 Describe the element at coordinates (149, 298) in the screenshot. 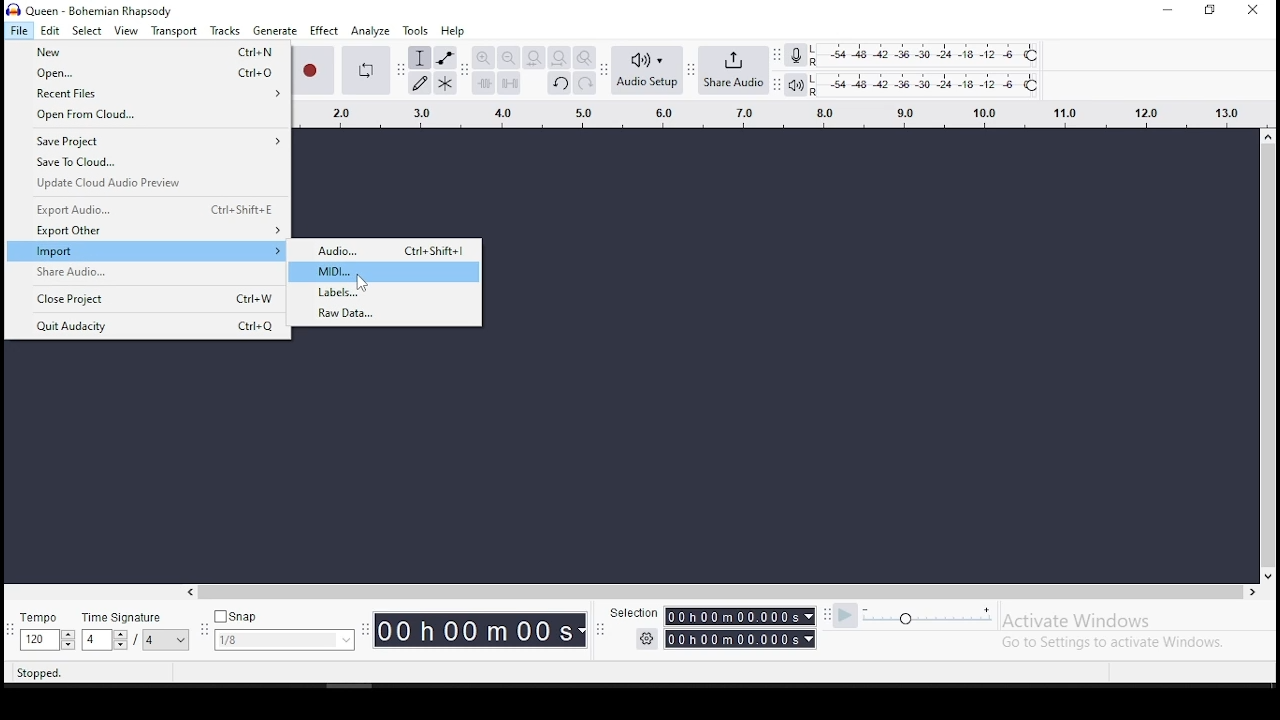

I see `close project` at that location.